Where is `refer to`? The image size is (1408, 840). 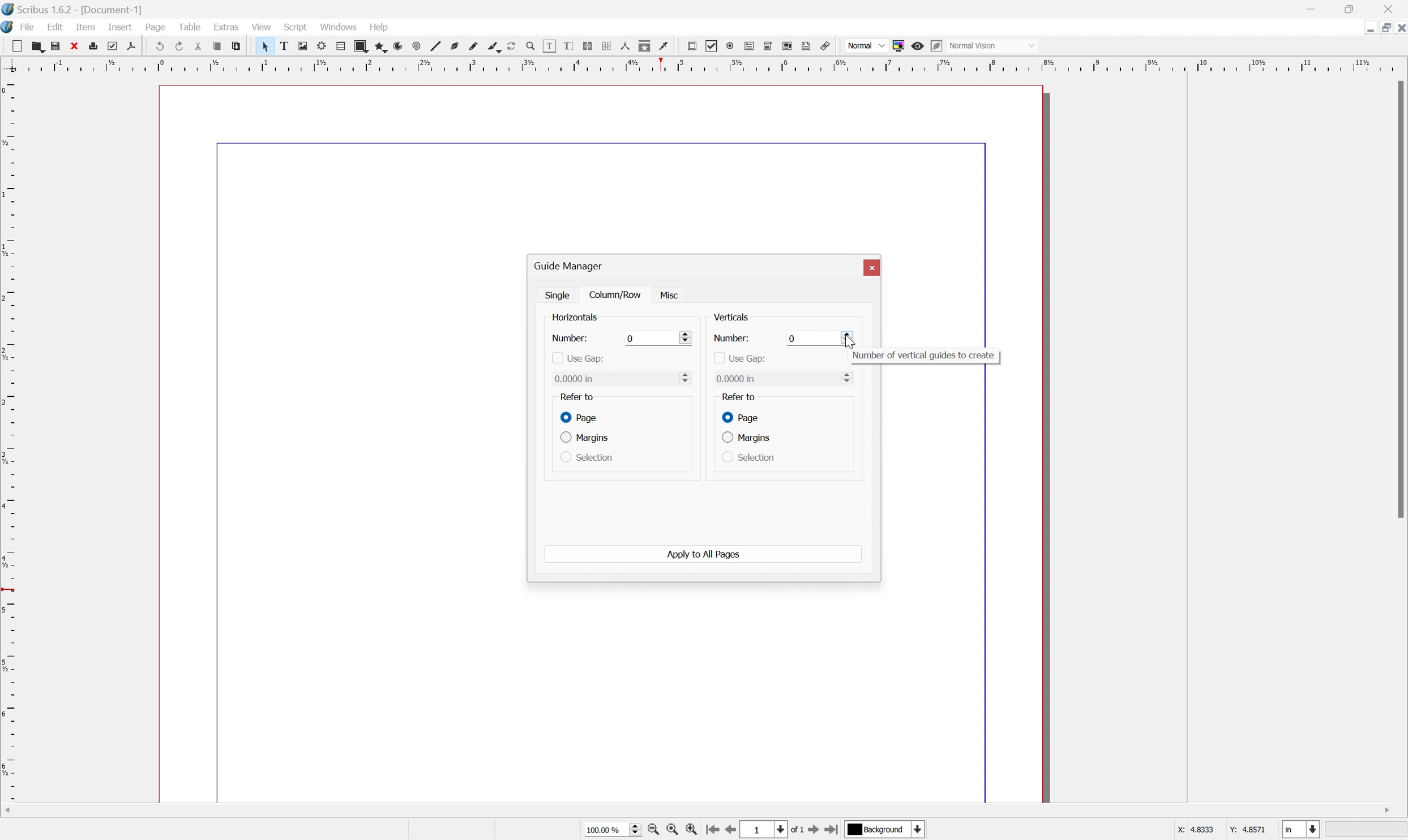 refer to is located at coordinates (577, 396).